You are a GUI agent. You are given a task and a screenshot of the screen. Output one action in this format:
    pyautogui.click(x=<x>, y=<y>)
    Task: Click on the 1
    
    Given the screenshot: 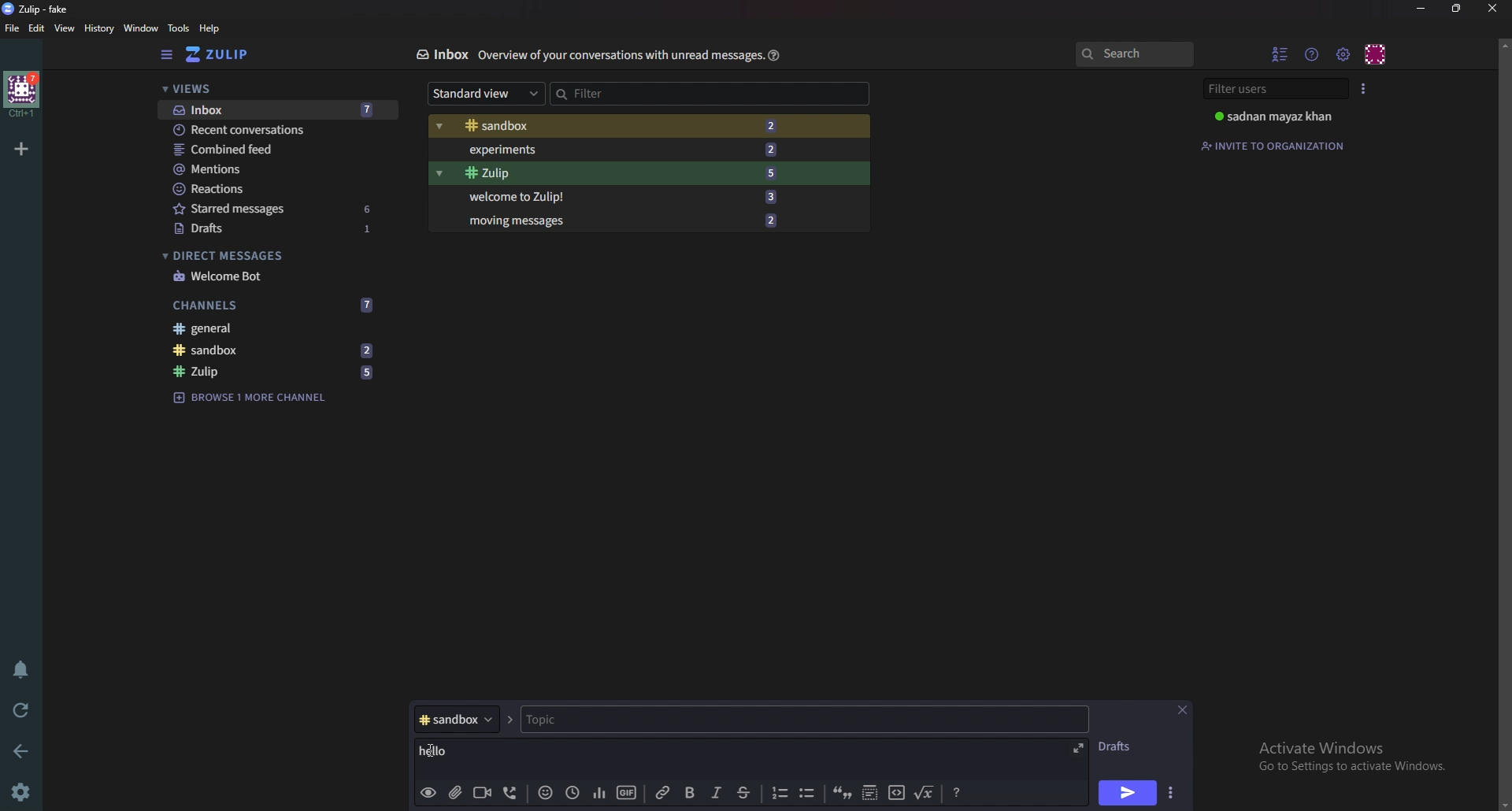 What is the action you would take?
    pyautogui.click(x=377, y=233)
    